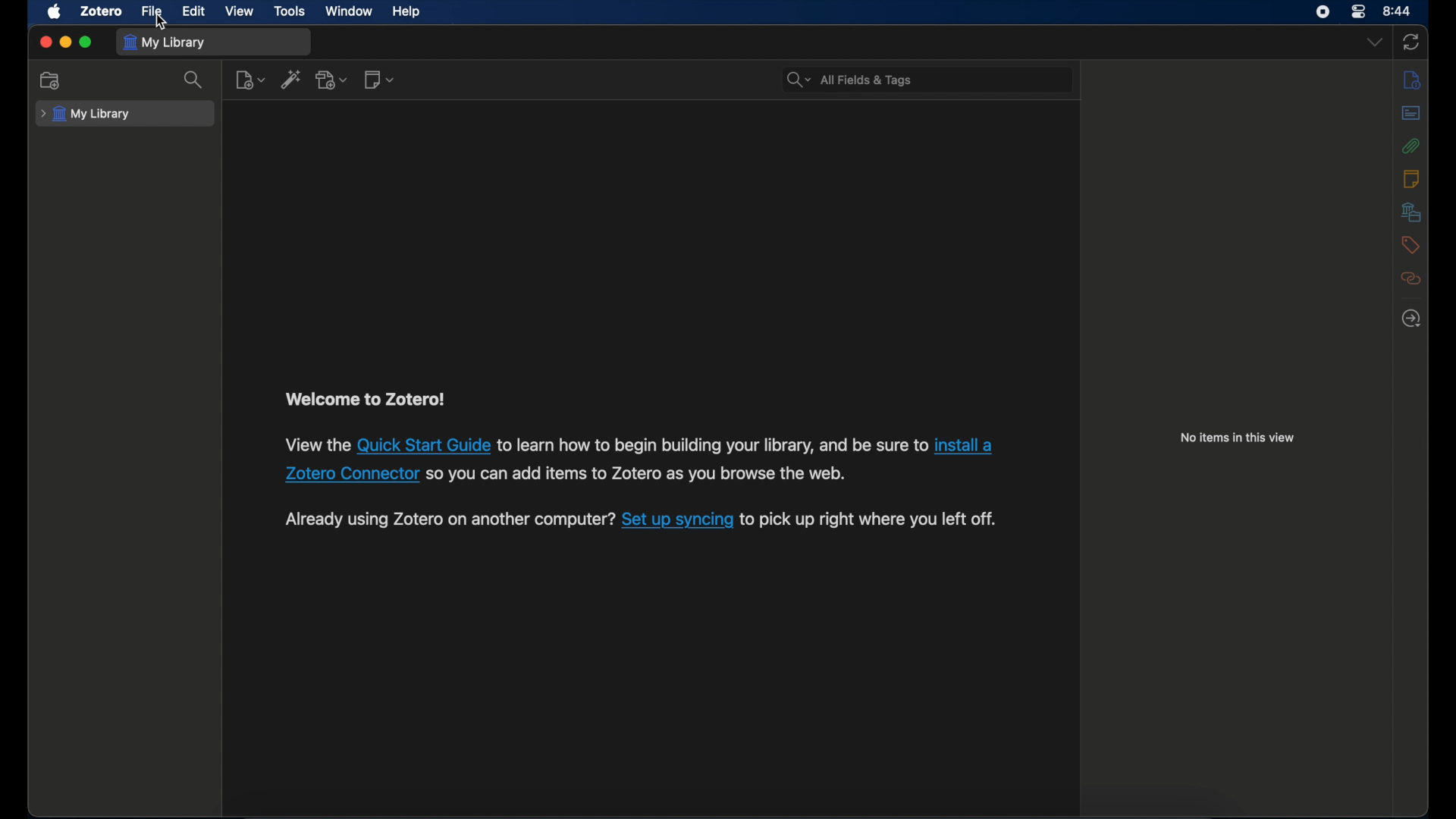  I want to click on search, so click(194, 80).